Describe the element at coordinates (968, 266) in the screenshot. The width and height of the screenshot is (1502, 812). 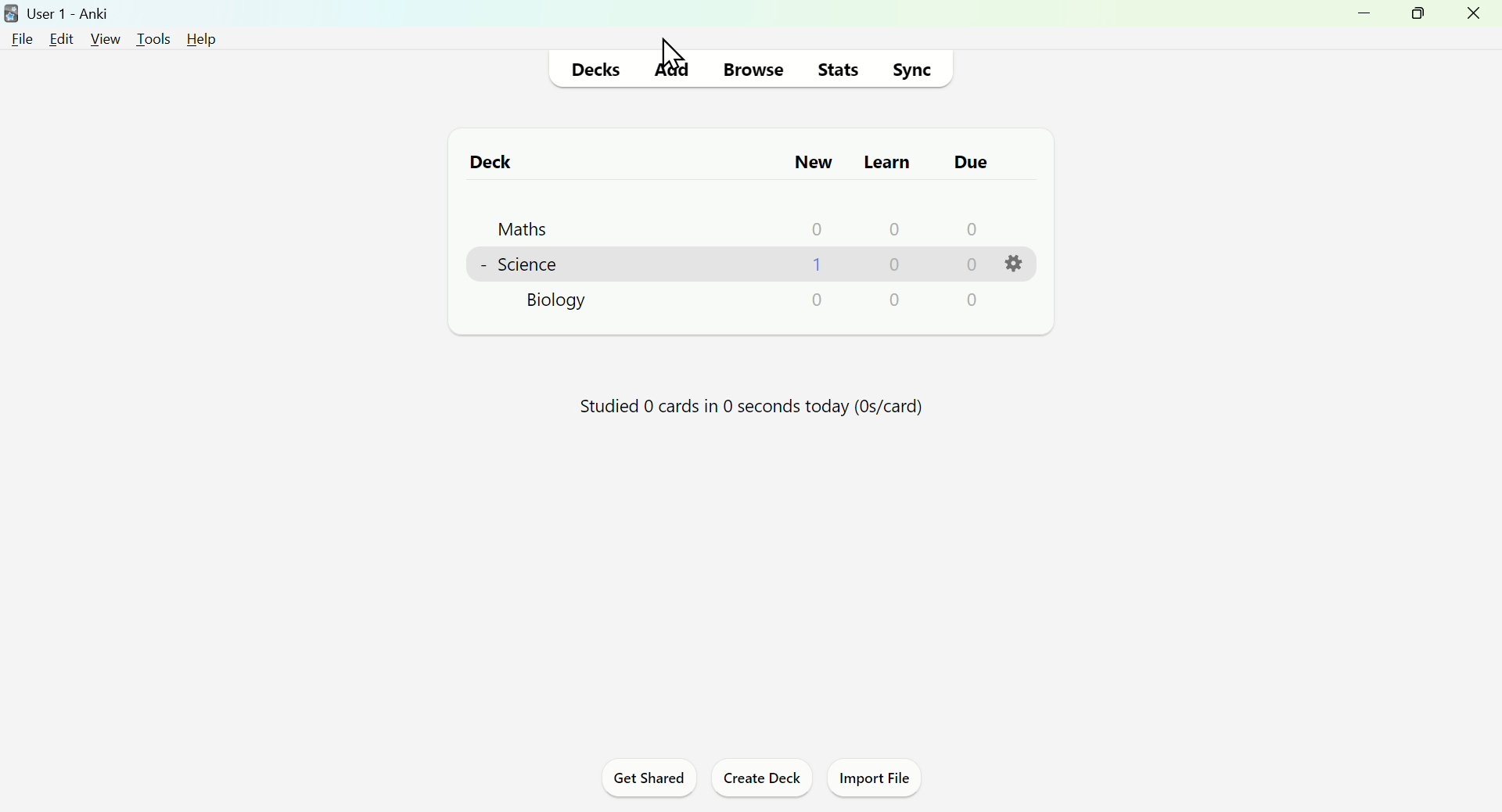
I see `0` at that location.